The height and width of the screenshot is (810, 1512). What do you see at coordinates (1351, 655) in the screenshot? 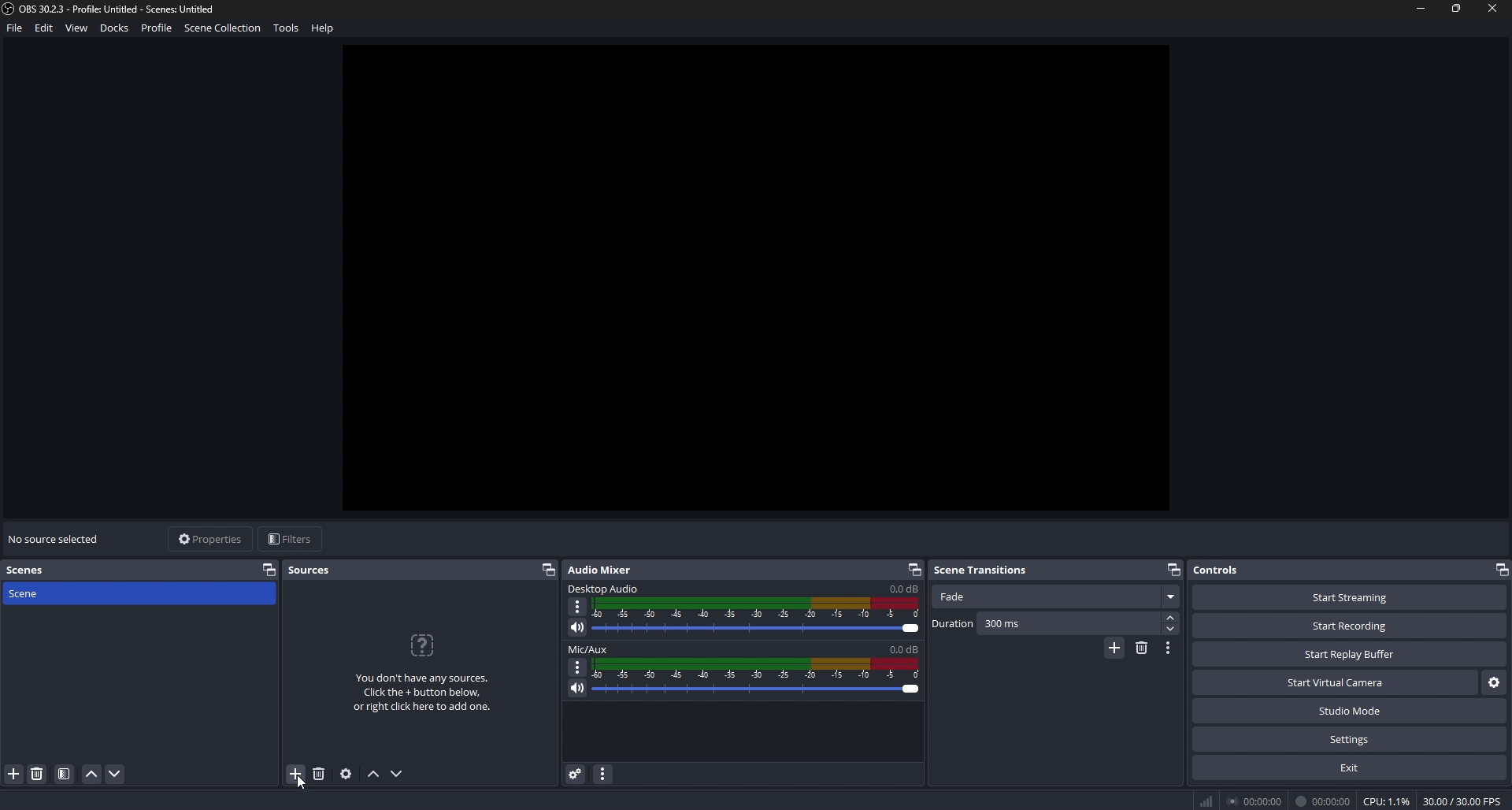
I see `start replay buffer` at bounding box center [1351, 655].